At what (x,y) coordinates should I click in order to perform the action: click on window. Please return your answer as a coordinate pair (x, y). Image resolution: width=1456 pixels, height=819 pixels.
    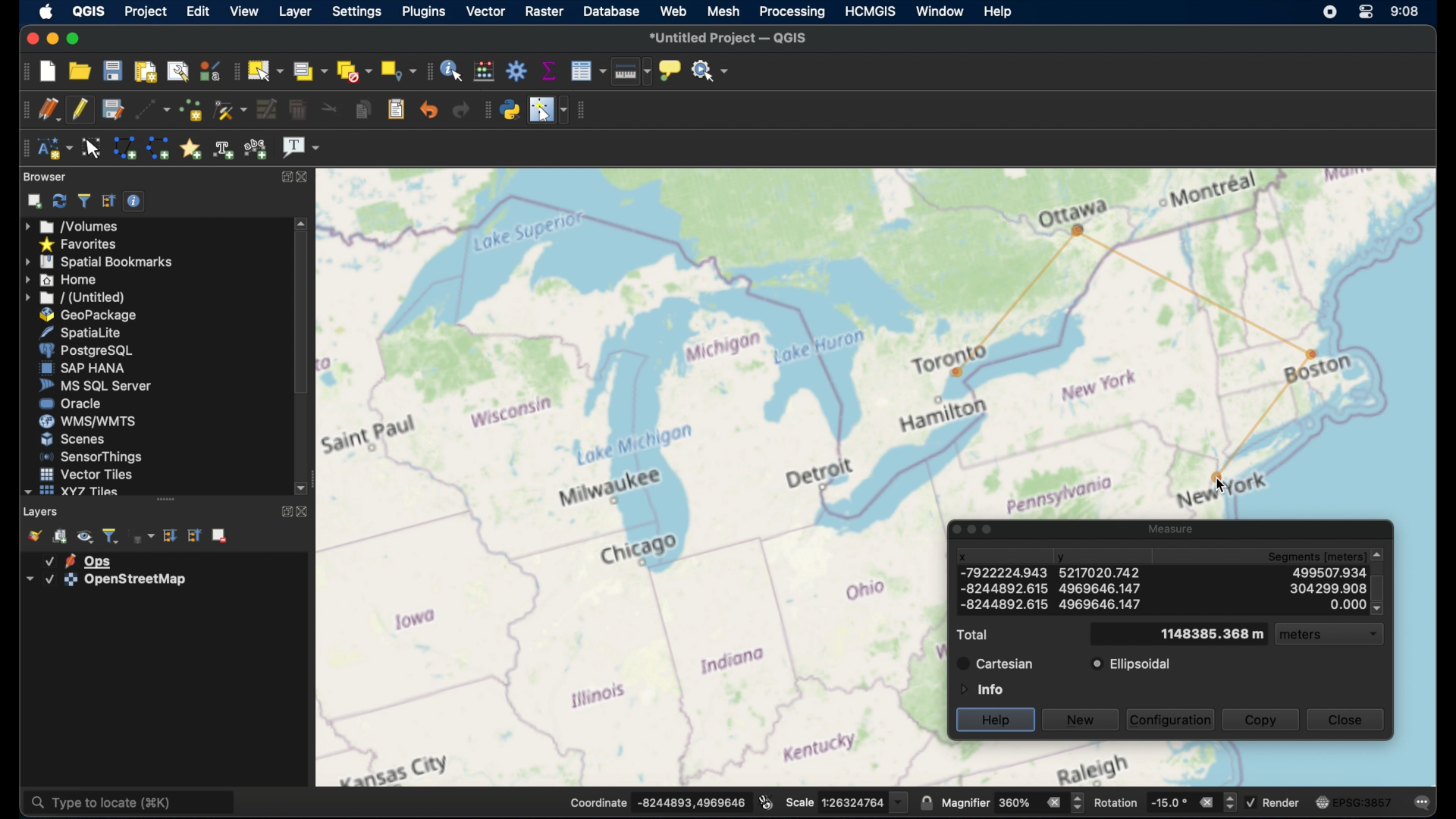
    Looking at the image, I should click on (941, 10).